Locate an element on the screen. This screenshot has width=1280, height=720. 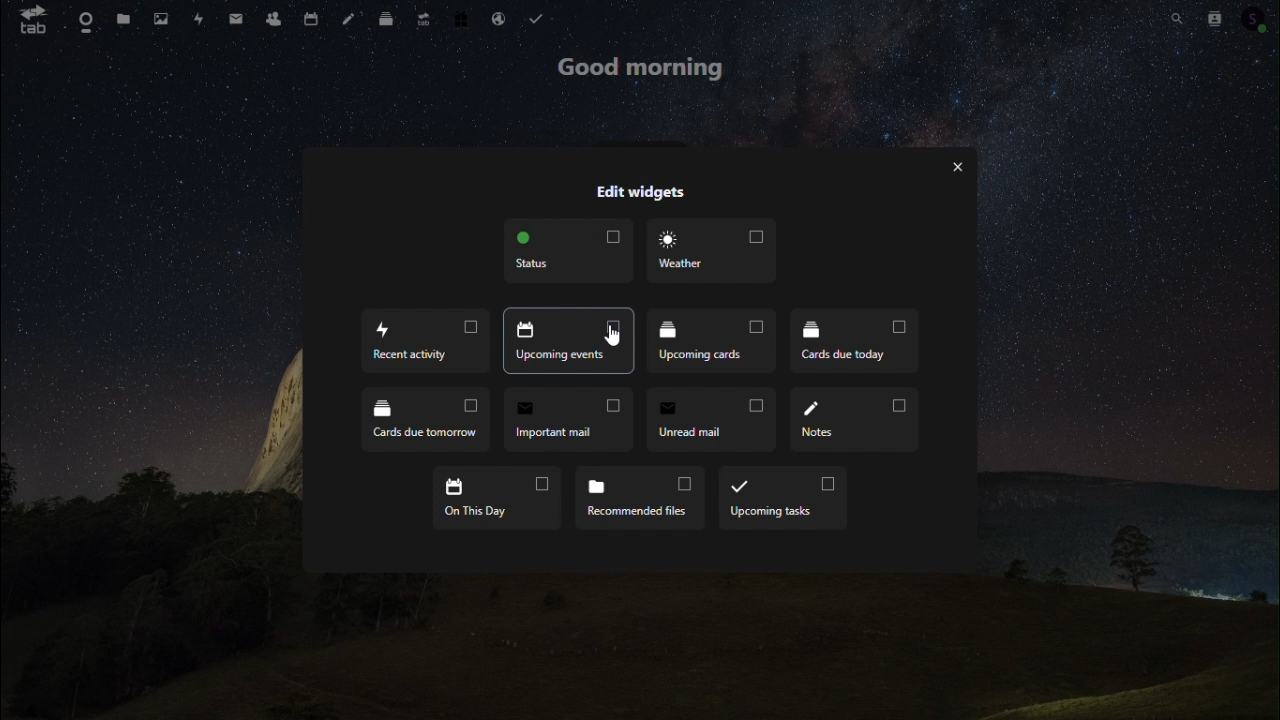
Calendar is located at coordinates (313, 16).